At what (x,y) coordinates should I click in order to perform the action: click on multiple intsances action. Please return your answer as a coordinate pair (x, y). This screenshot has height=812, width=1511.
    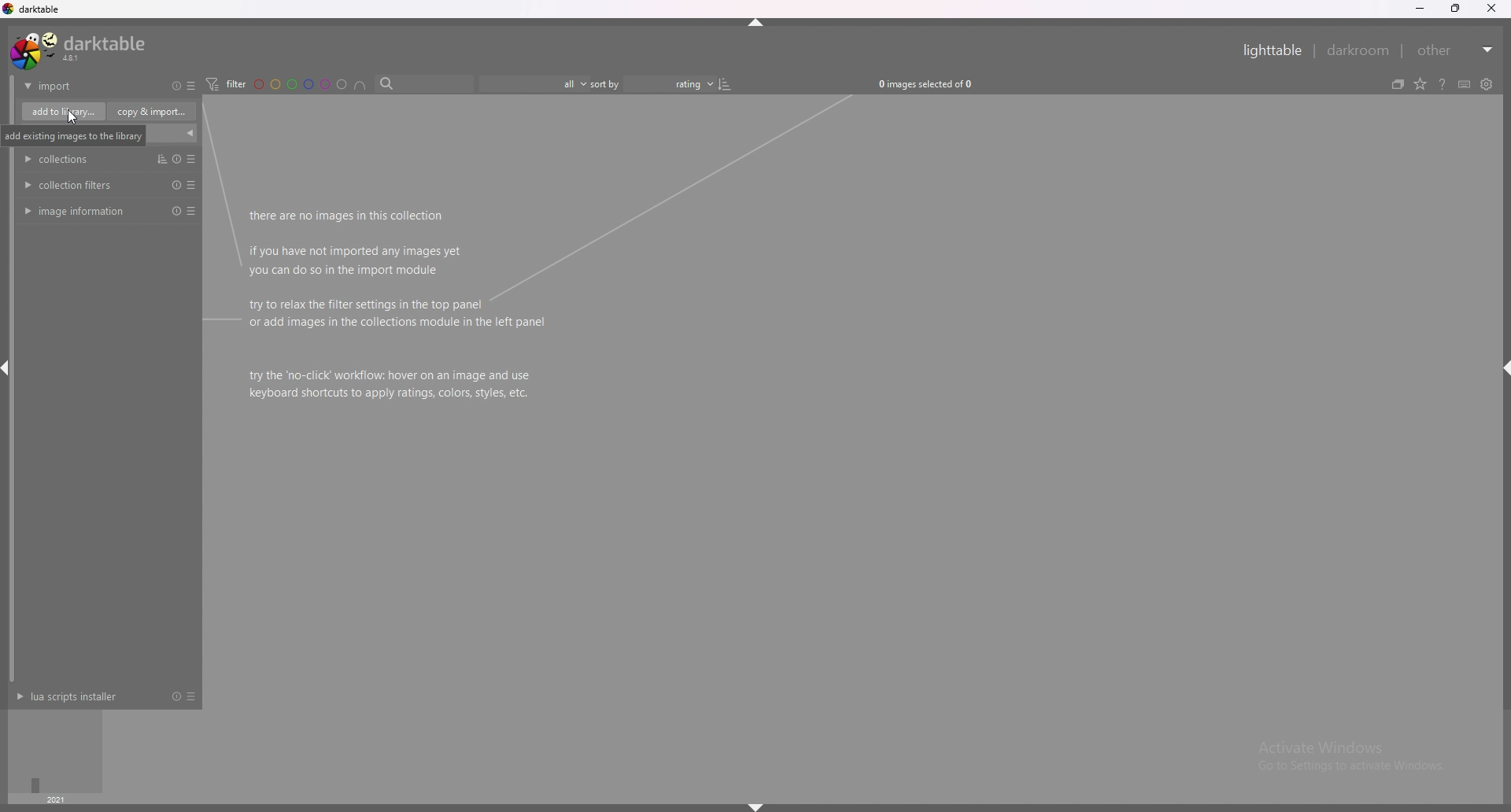
    Looking at the image, I should click on (157, 158).